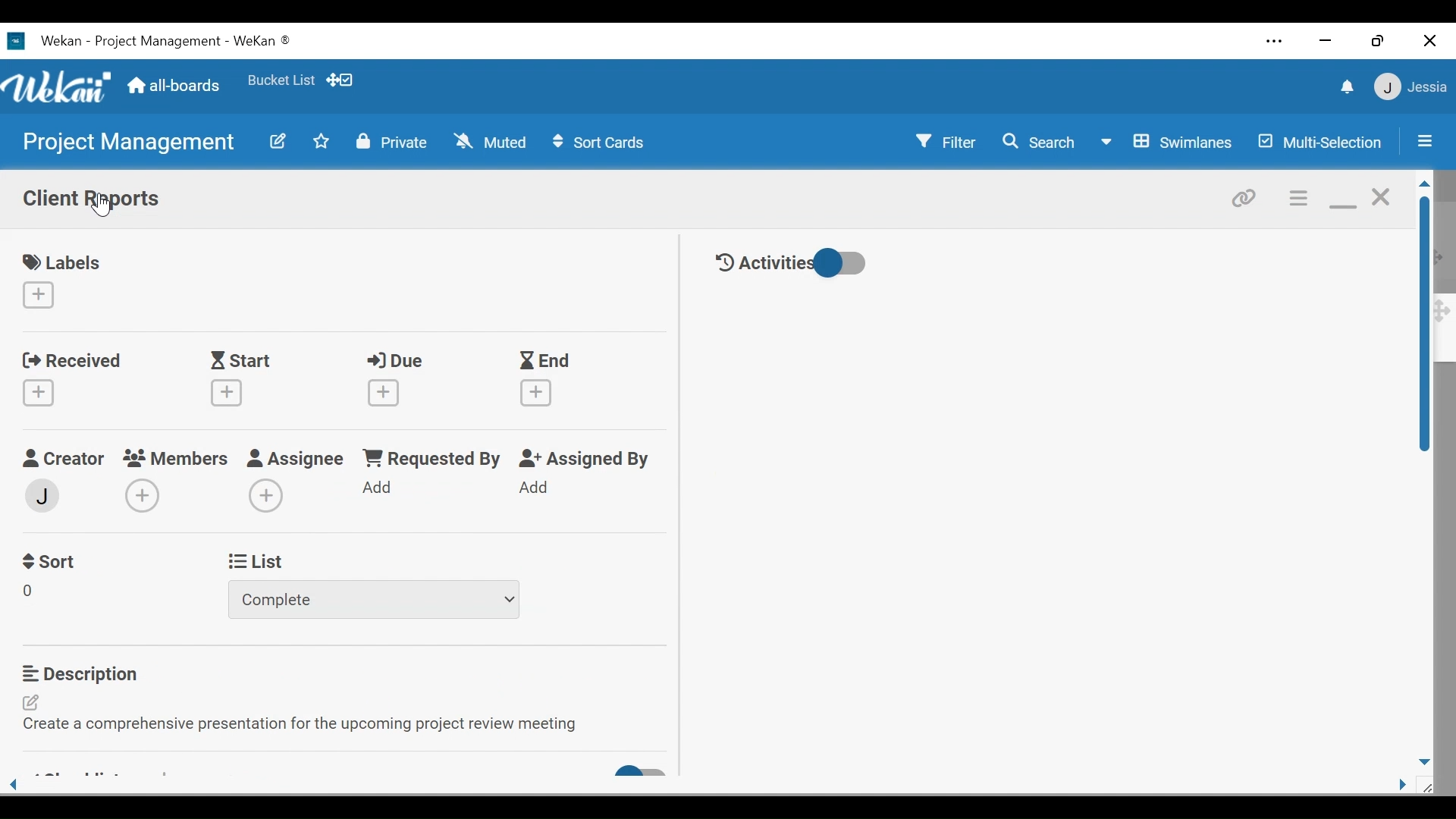 The height and width of the screenshot is (819, 1456). Describe the element at coordinates (244, 362) in the screenshot. I see `Start Date` at that location.